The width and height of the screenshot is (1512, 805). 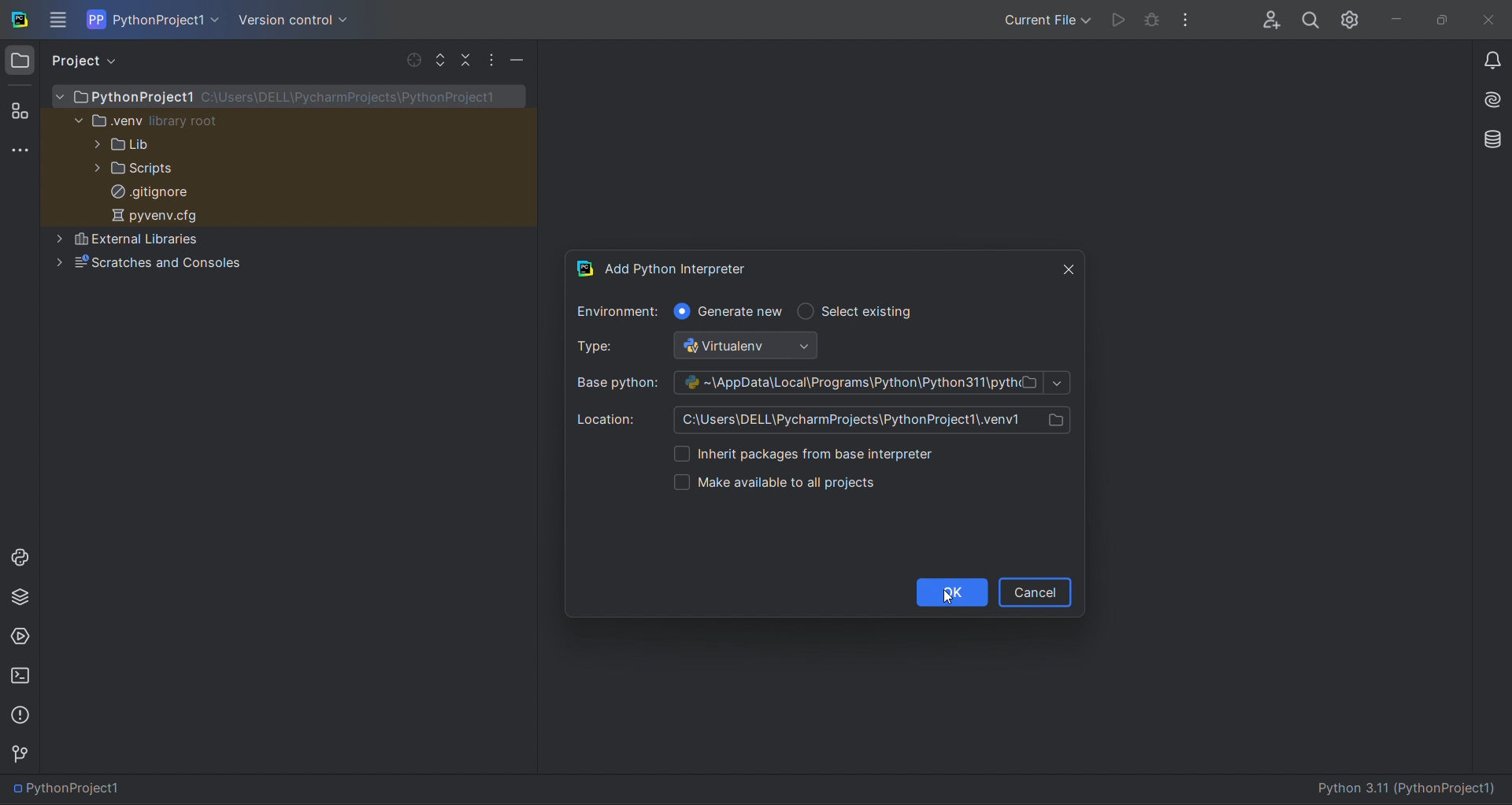 What do you see at coordinates (1310, 17) in the screenshot?
I see `search` at bounding box center [1310, 17].